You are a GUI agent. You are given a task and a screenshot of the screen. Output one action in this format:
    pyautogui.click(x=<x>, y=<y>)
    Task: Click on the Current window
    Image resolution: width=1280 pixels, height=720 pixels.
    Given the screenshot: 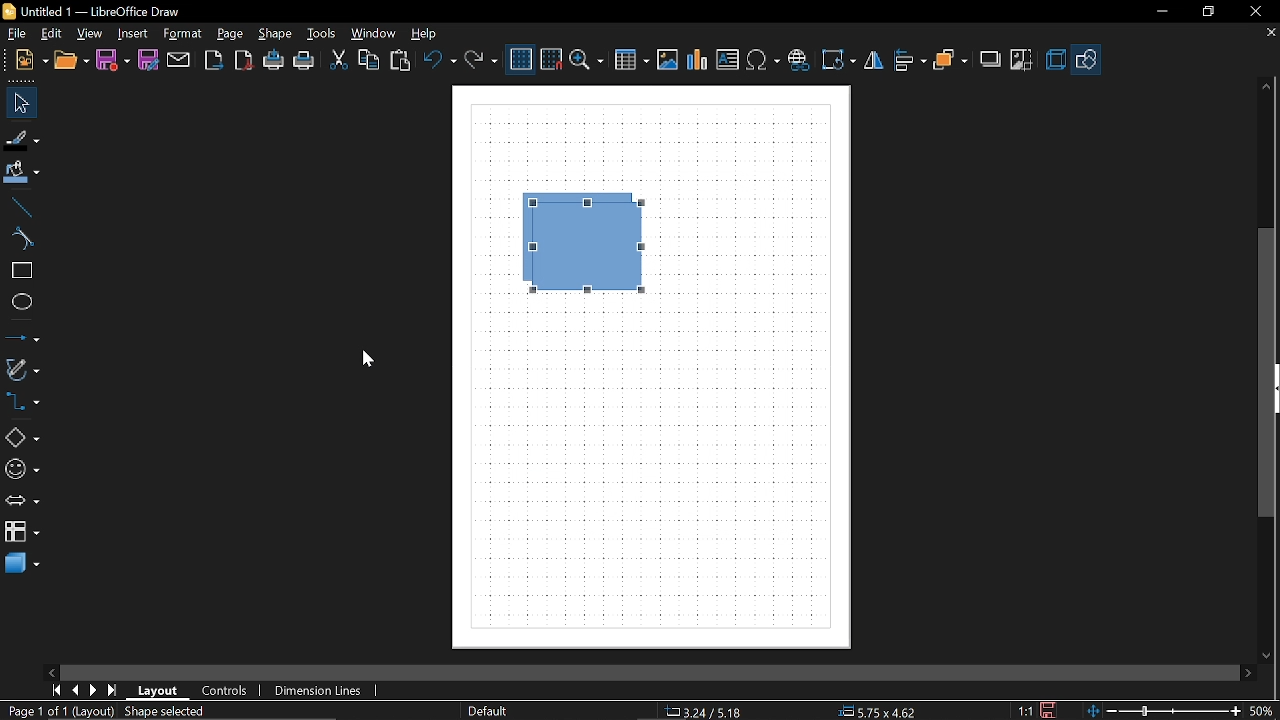 What is the action you would take?
    pyautogui.click(x=92, y=10)
    